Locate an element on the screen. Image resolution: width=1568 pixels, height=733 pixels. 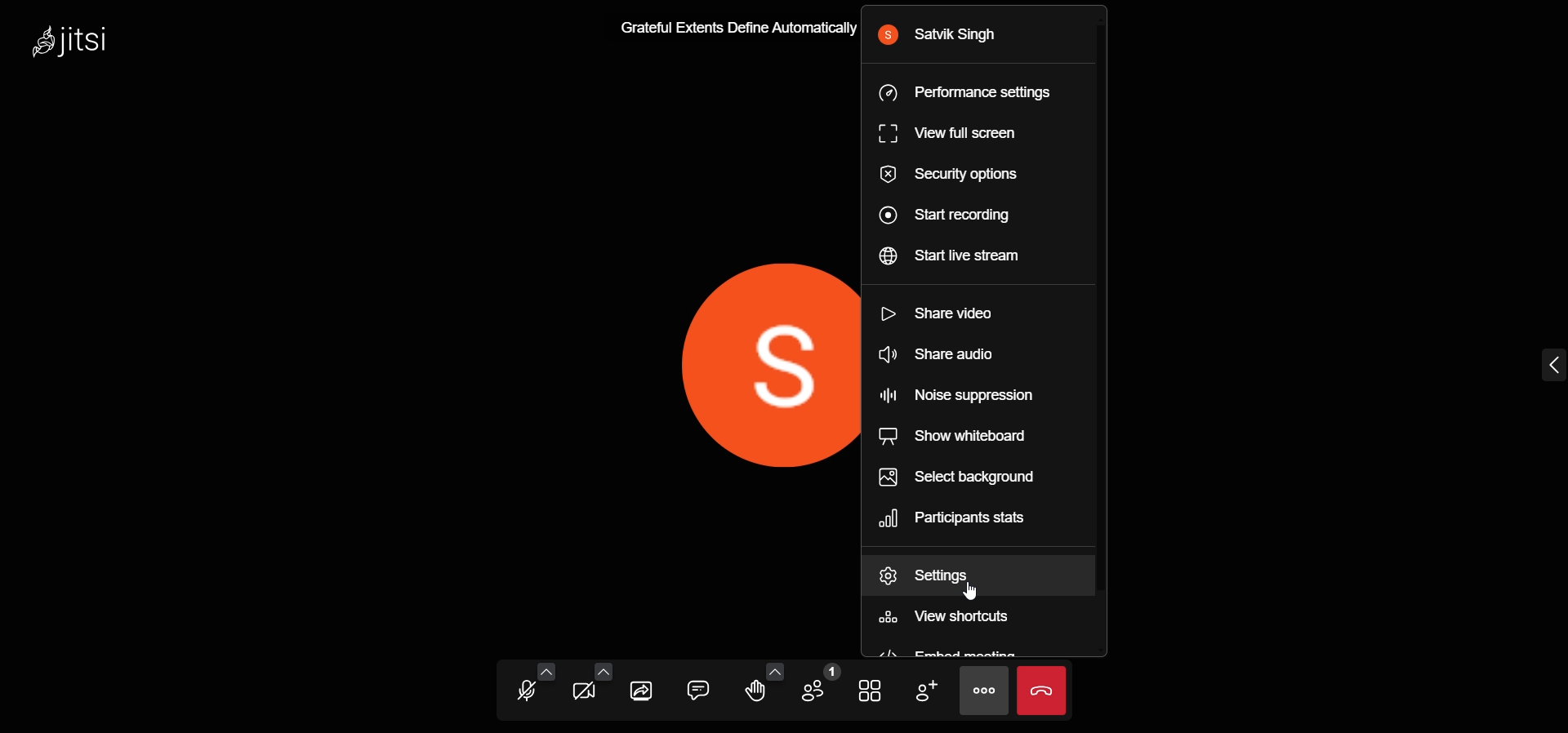
noise suppression is located at coordinates (955, 395).